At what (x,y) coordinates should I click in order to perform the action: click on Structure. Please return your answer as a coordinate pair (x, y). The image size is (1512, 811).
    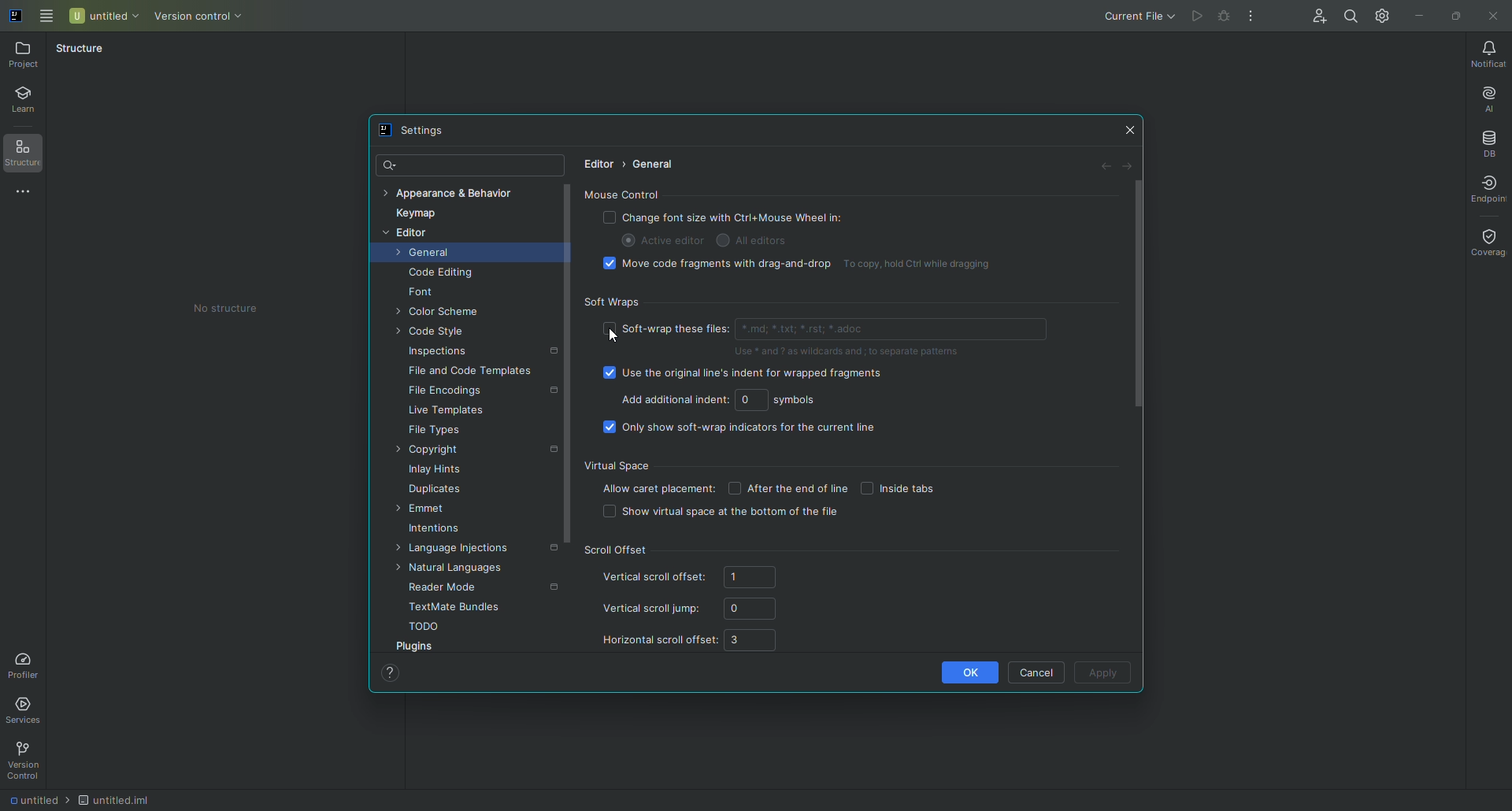
    Looking at the image, I should click on (88, 52).